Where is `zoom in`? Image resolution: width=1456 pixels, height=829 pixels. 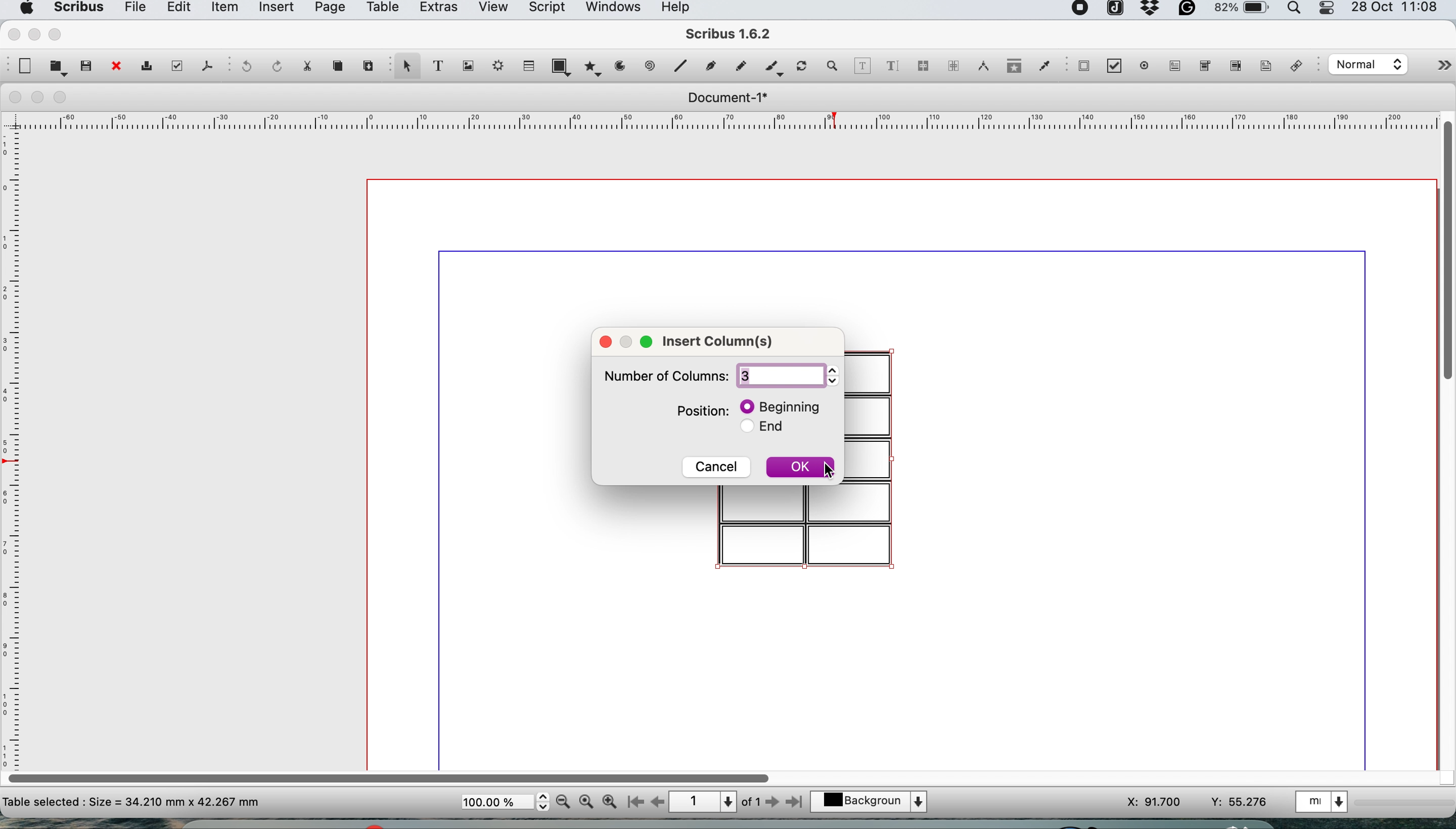 zoom in is located at coordinates (610, 802).